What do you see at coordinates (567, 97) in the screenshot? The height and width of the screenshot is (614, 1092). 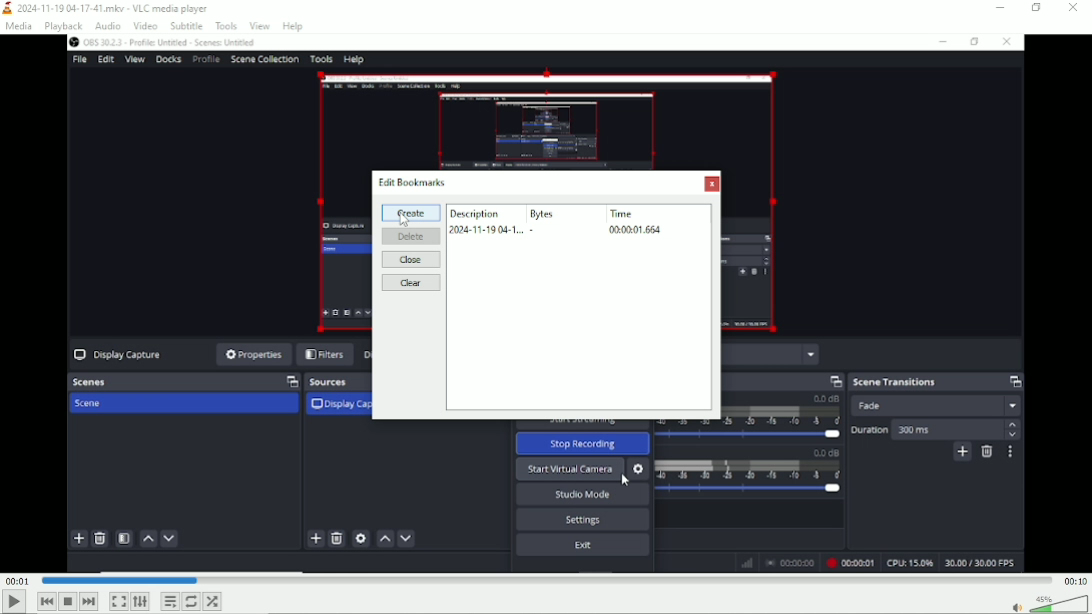 I see `video` at bounding box center [567, 97].